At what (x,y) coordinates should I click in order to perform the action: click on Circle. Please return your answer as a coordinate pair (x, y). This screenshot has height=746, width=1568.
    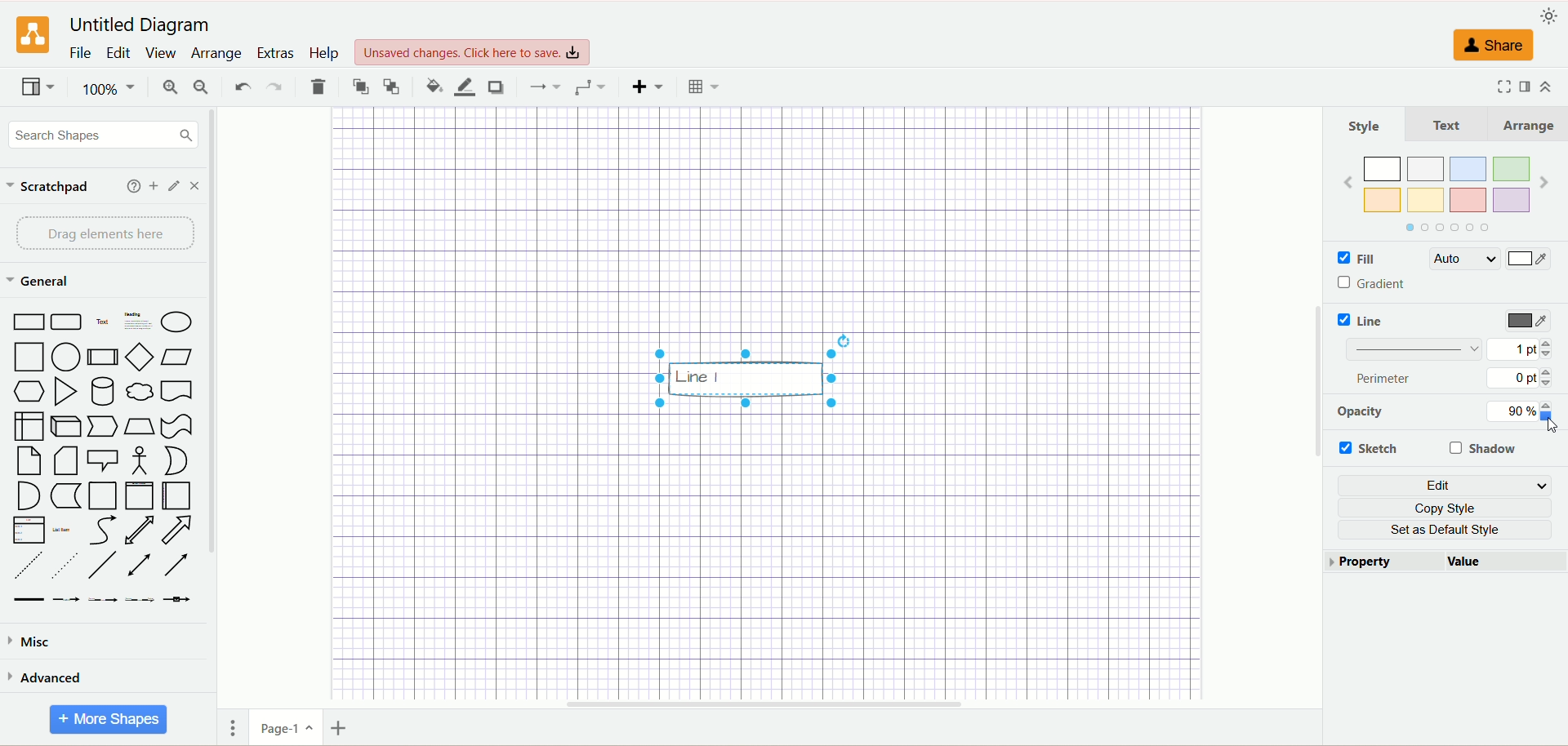
    Looking at the image, I should click on (66, 357).